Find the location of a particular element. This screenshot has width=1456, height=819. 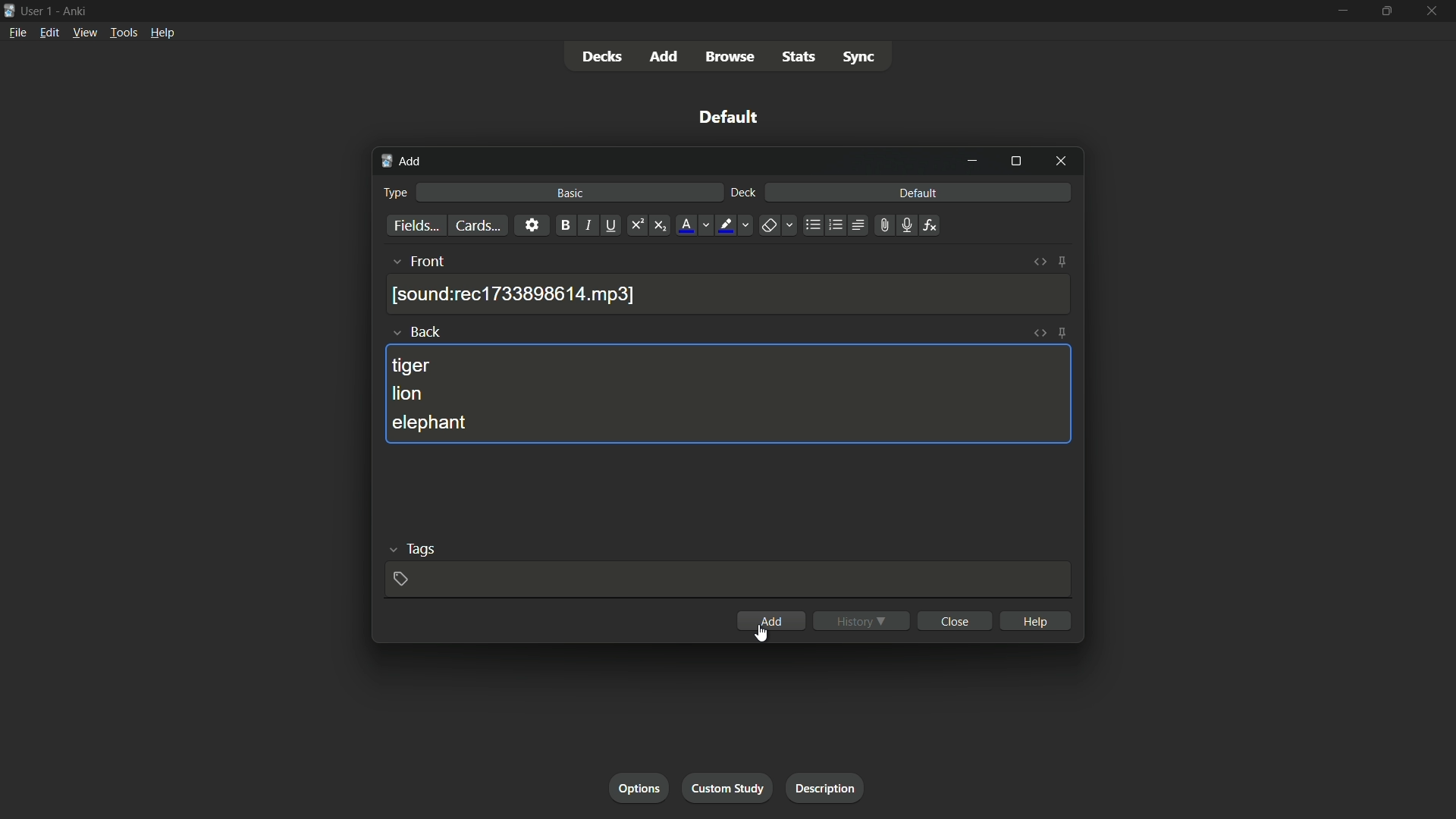

minimize is located at coordinates (974, 161).